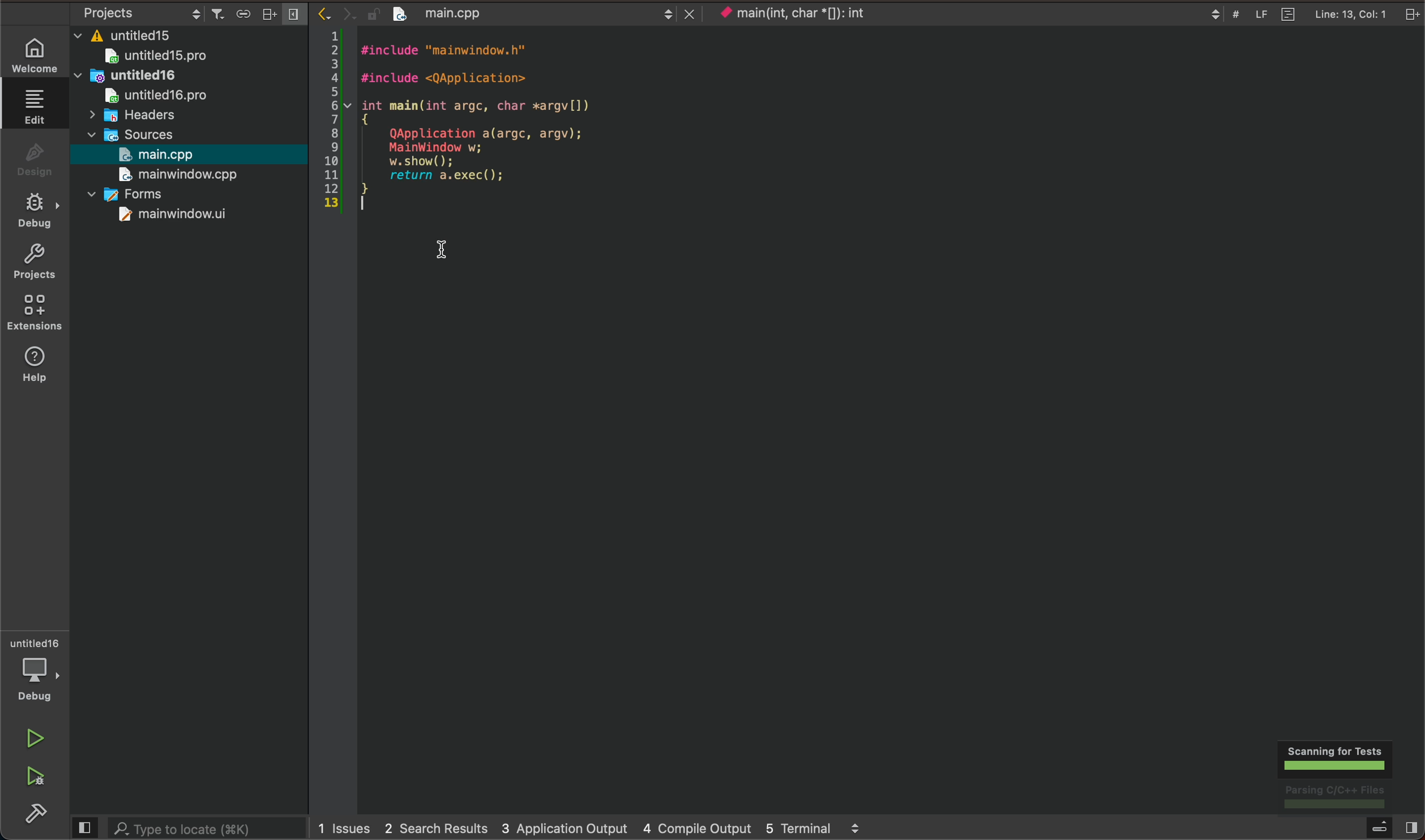 This screenshot has height=840, width=1425. What do you see at coordinates (127, 77) in the screenshot?
I see `untitled16` at bounding box center [127, 77].